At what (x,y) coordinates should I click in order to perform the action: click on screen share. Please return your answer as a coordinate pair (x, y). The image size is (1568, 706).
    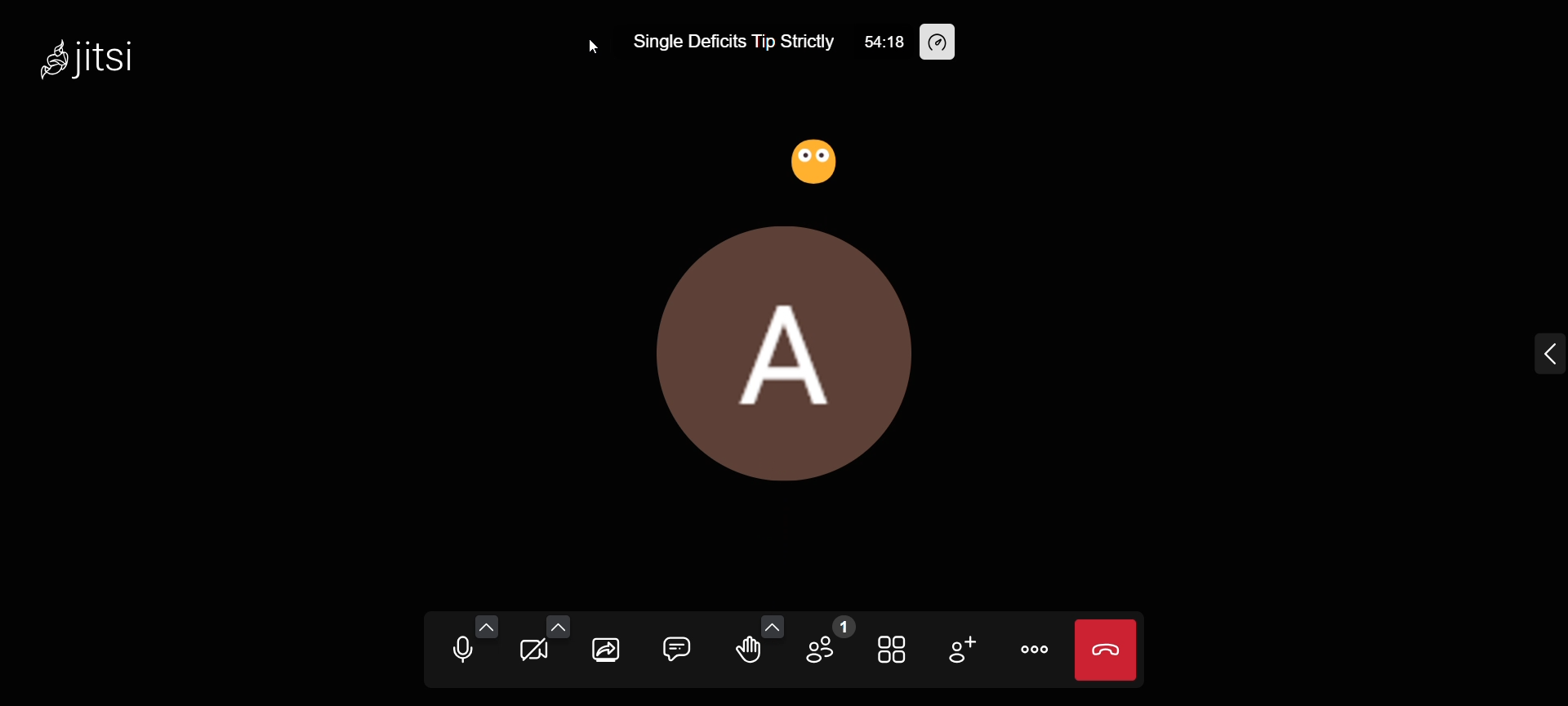
    Looking at the image, I should click on (609, 655).